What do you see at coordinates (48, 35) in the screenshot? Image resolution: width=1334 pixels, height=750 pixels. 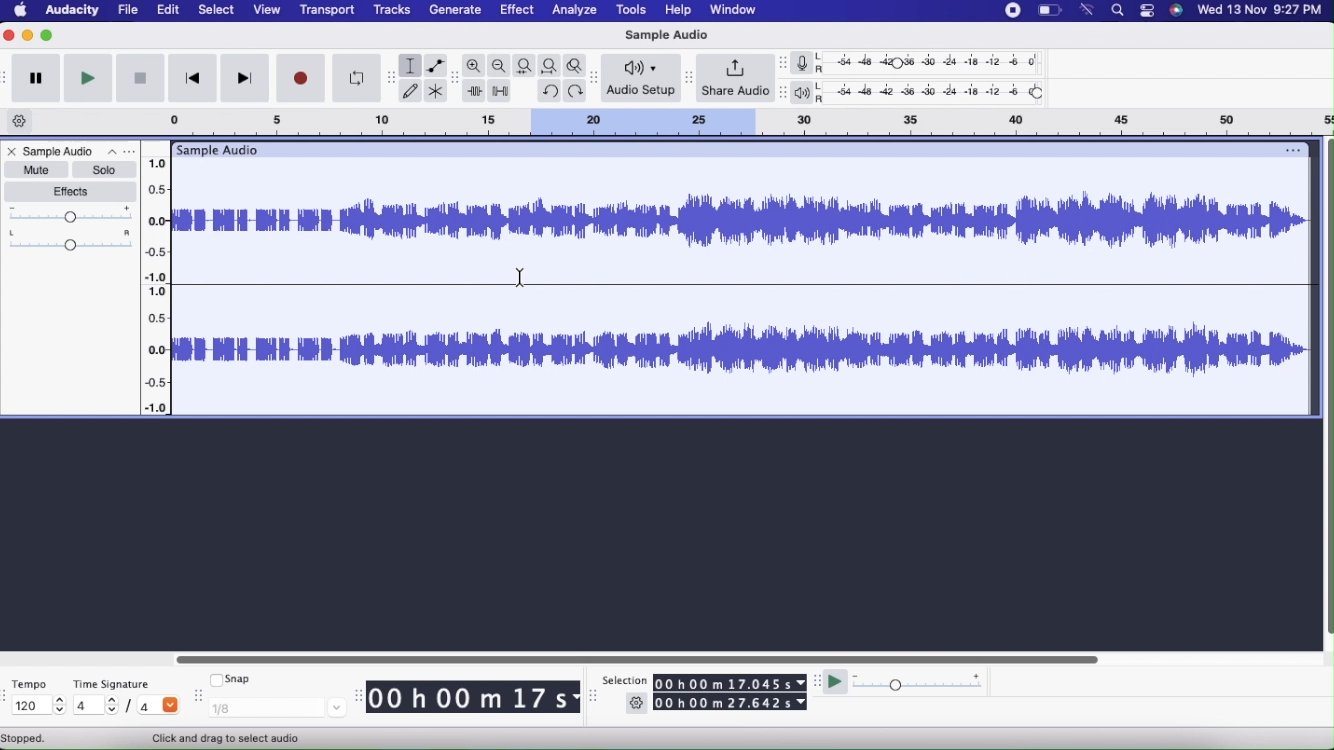 I see `Maximize` at bounding box center [48, 35].